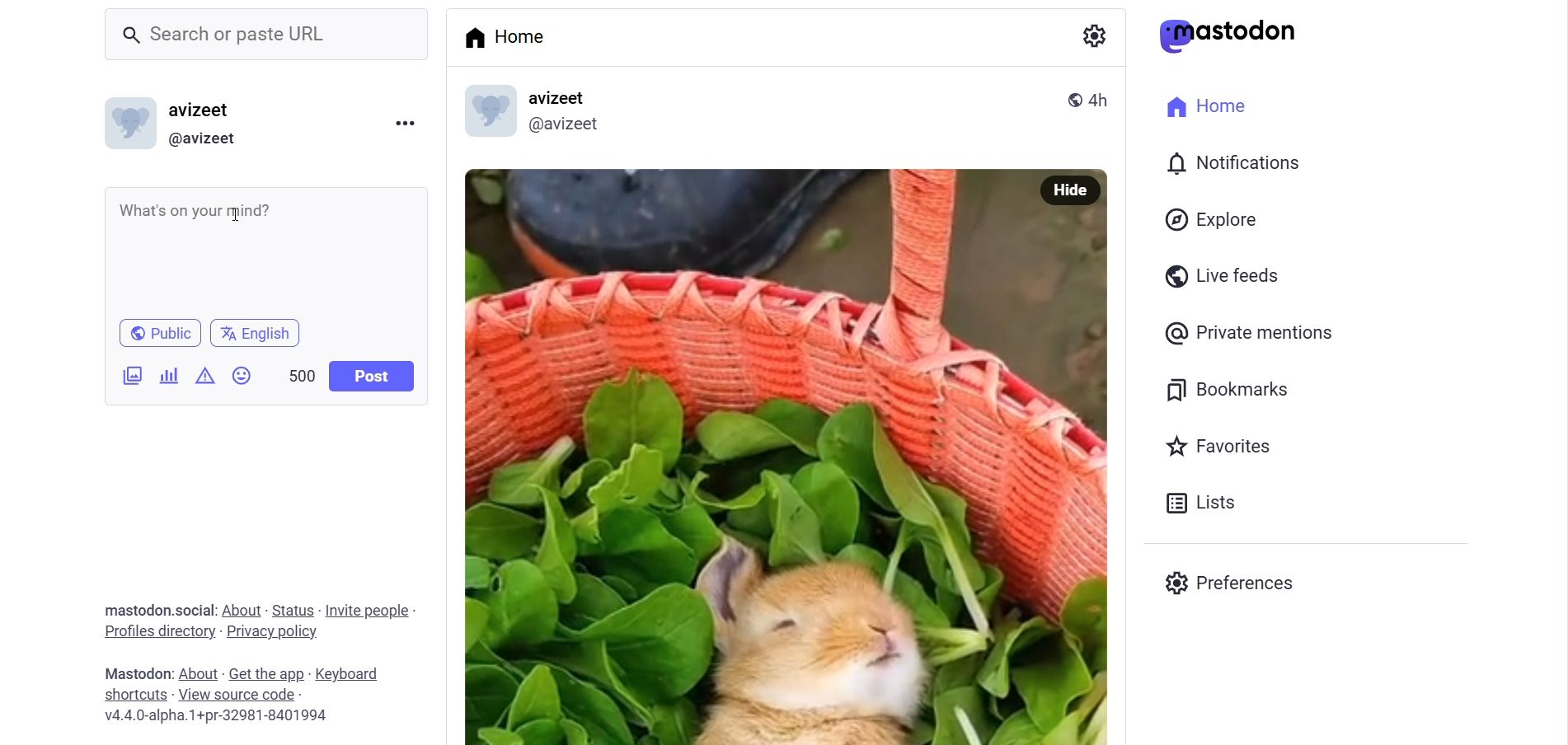 This screenshot has width=1568, height=745. Describe the element at coordinates (1222, 275) in the screenshot. I see `Live Feeds` at that location.